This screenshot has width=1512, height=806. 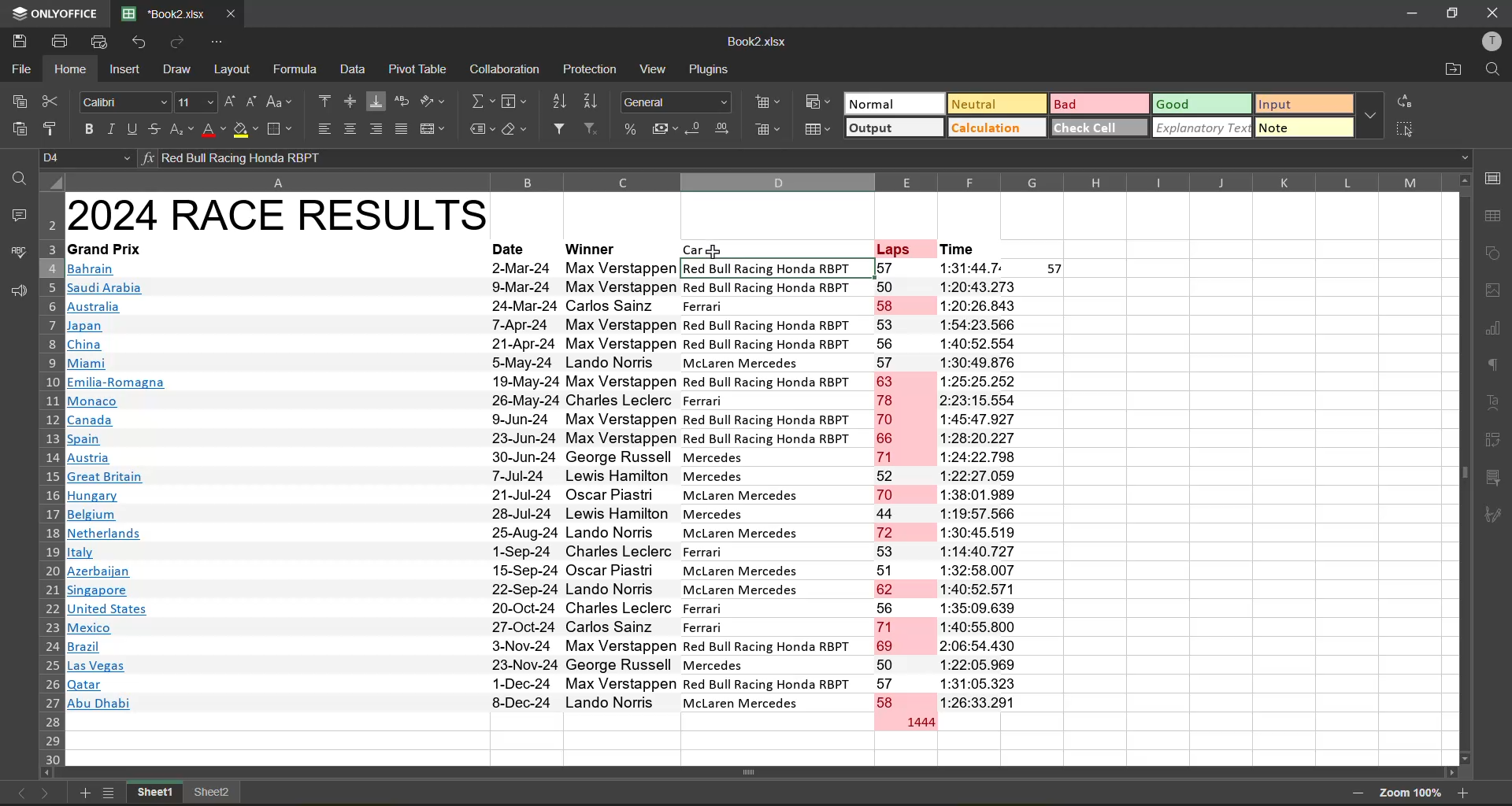 What do you see at coordinates (595, 68) in the screenshot?
I see `protection` at bounding box center [595, 68].